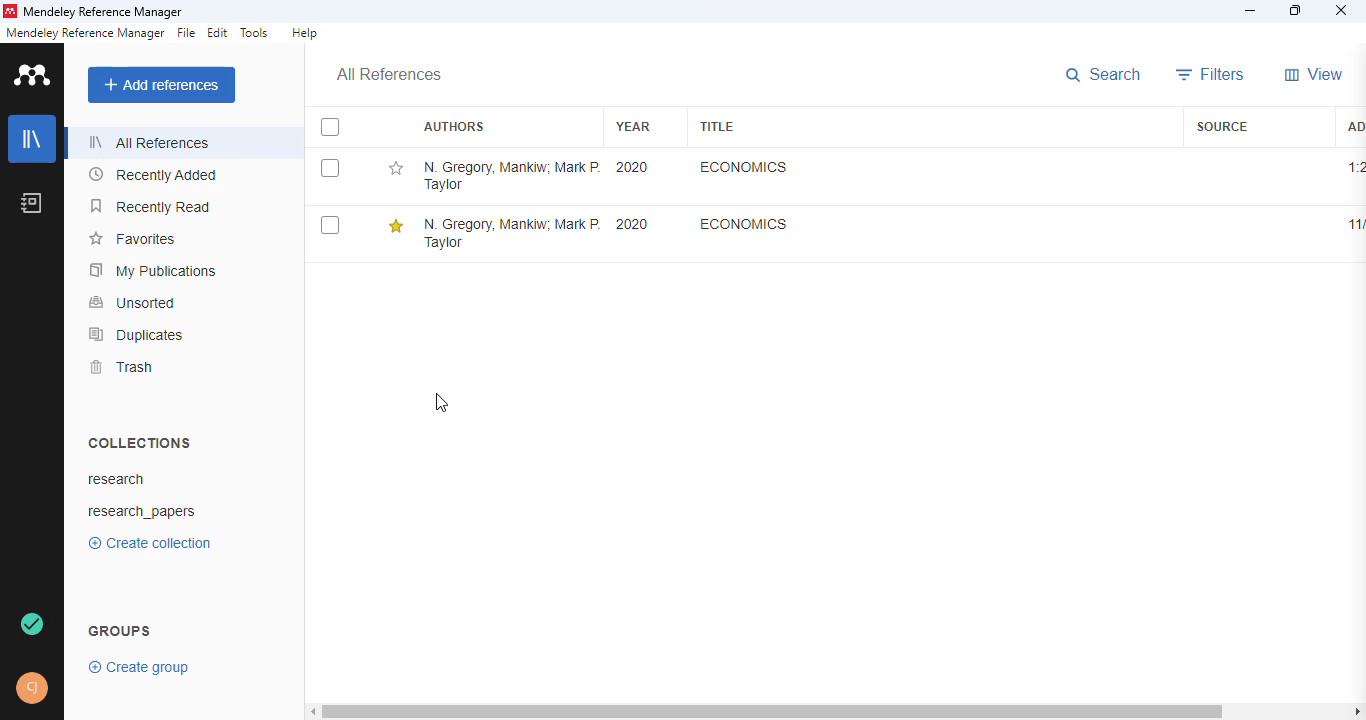 The height and width of the screenshot is (720, 1366). Describe the element at coordinates (254, 33) in the screenshot. I see `tools` at that location.